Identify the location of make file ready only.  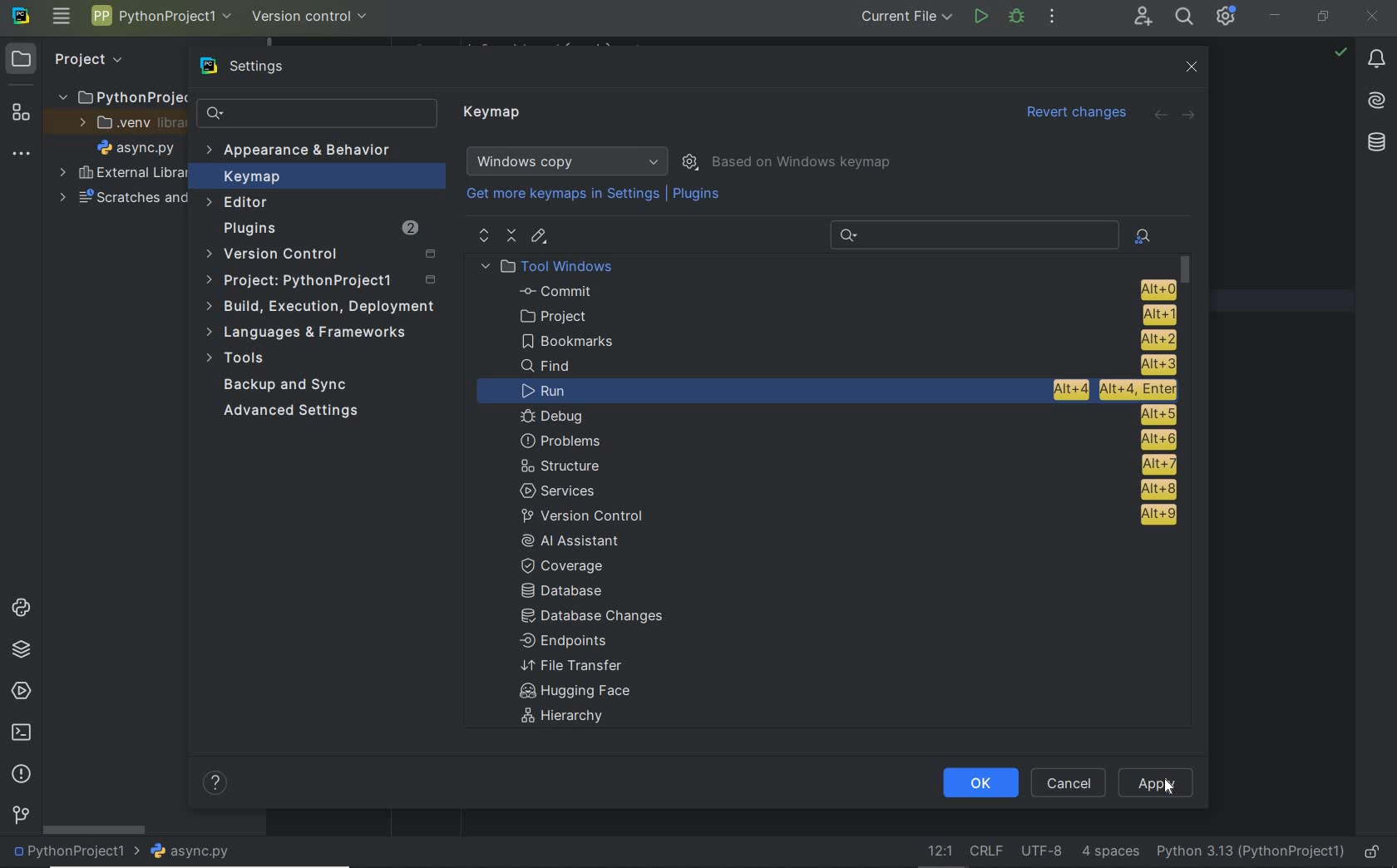
(1372, 853).